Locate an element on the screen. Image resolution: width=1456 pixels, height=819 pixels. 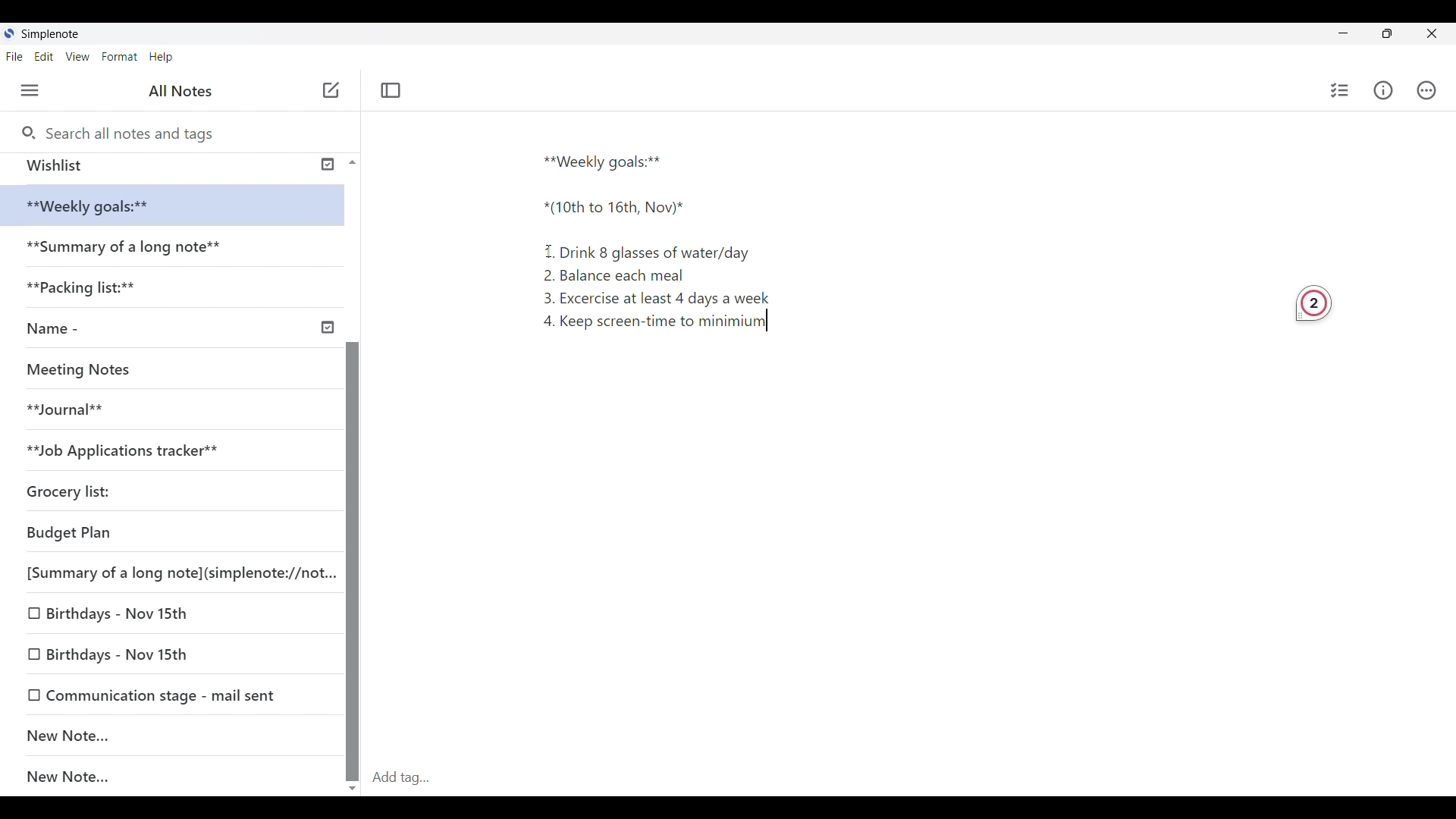
New note... is located at coordinates (180, 777).